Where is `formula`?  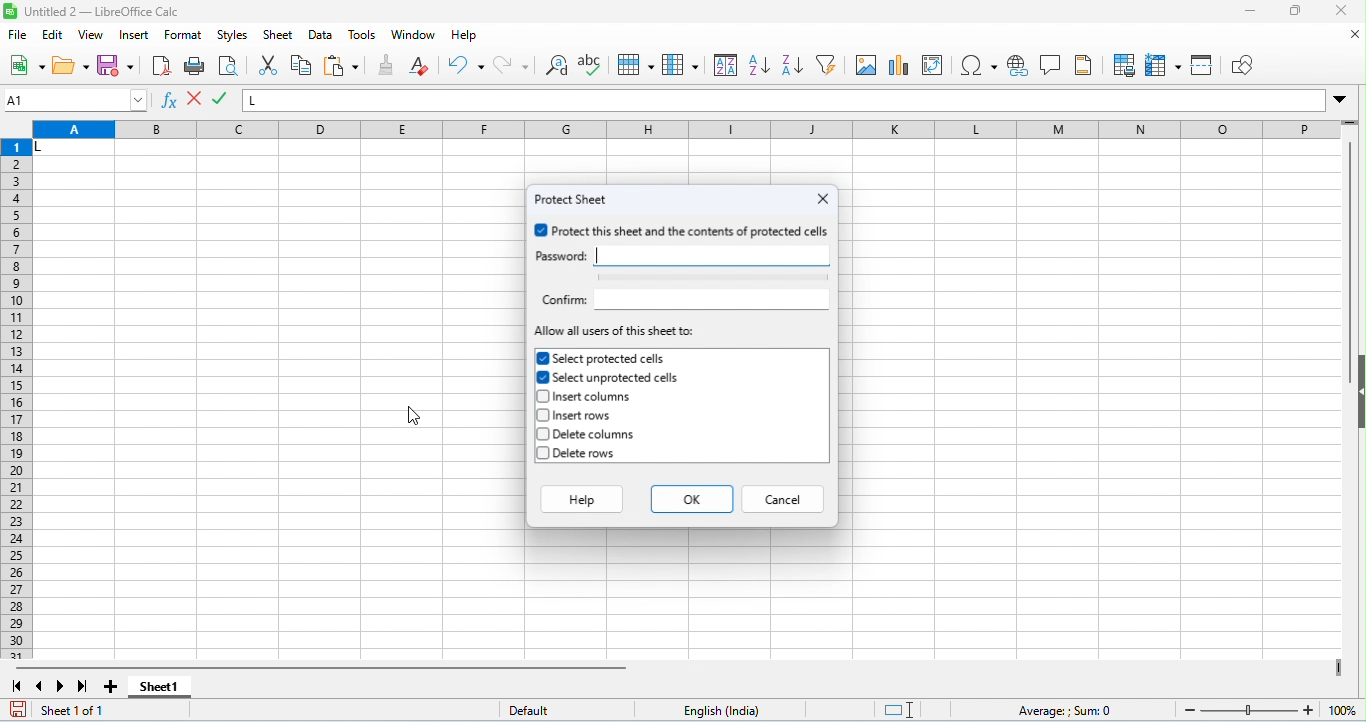
formula is located at coordinates (1067, 711).